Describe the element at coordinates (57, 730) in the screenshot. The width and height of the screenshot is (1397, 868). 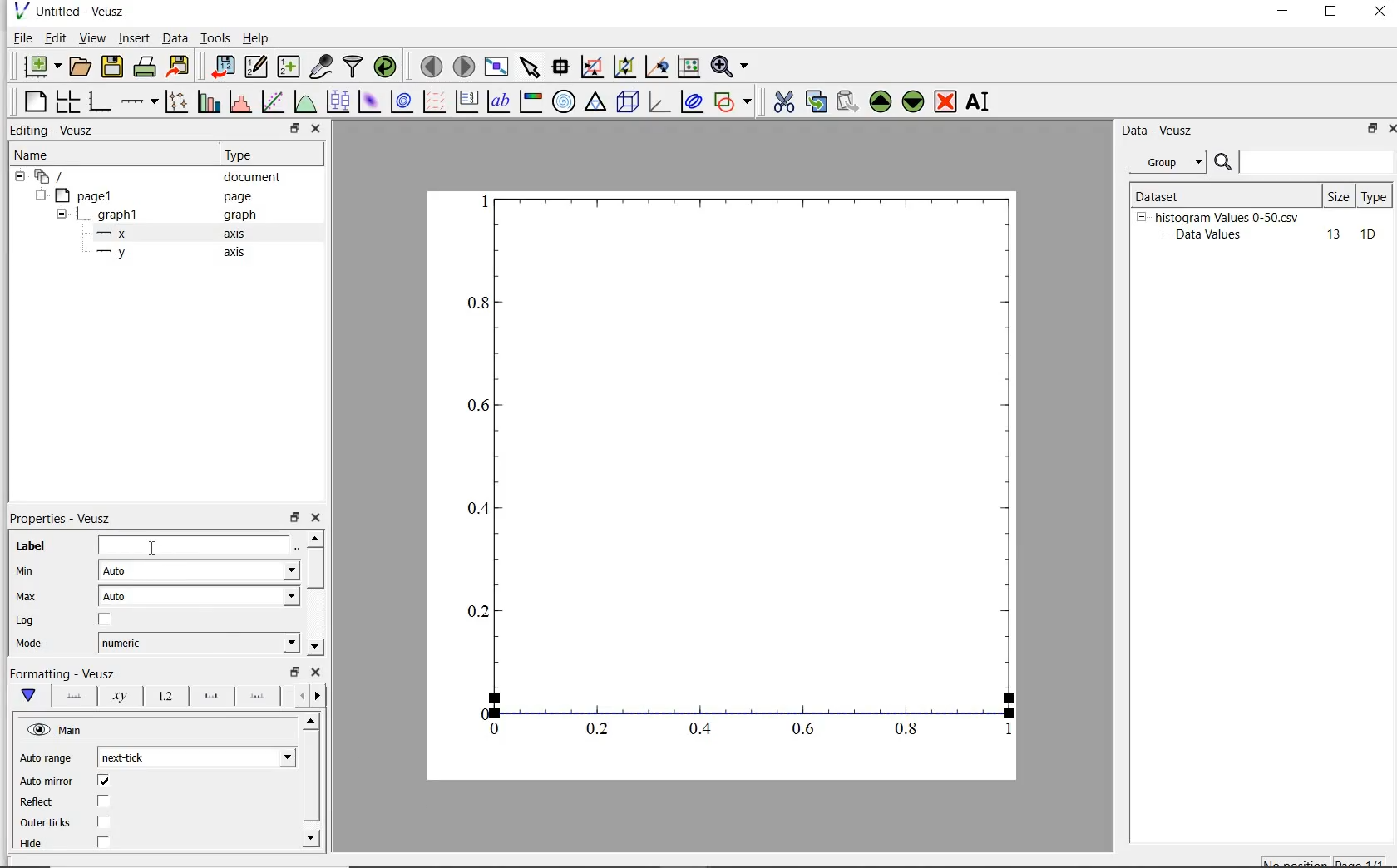
I see `hide` at that location.